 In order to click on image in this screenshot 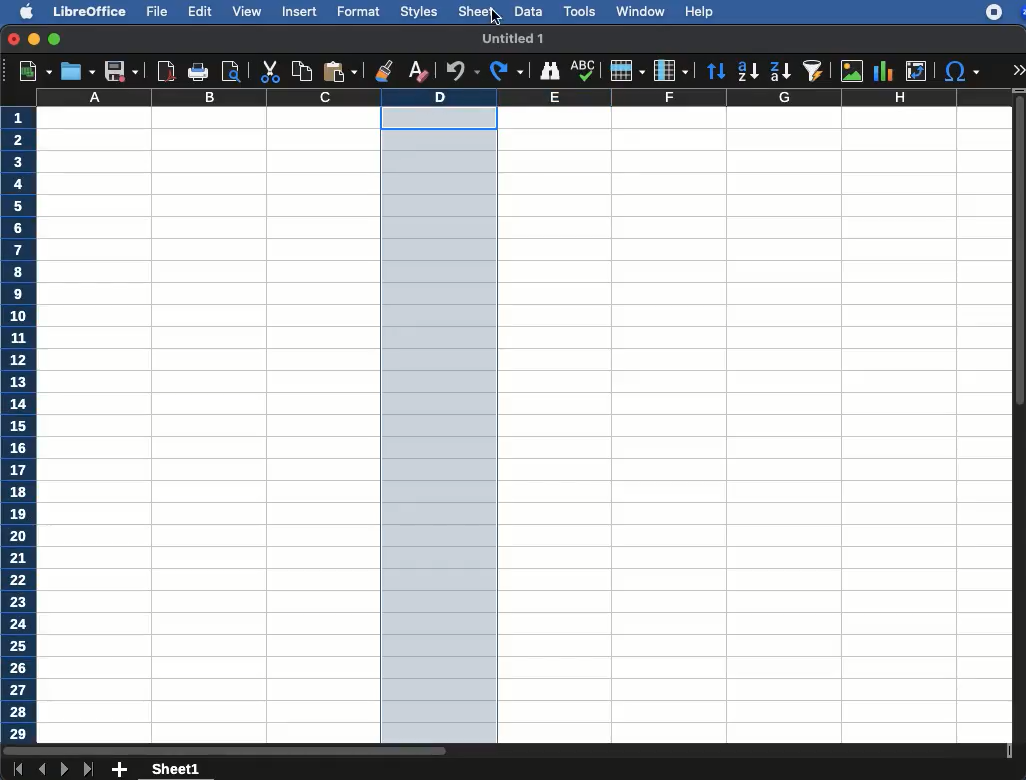, I will do `click(852, 71)`.